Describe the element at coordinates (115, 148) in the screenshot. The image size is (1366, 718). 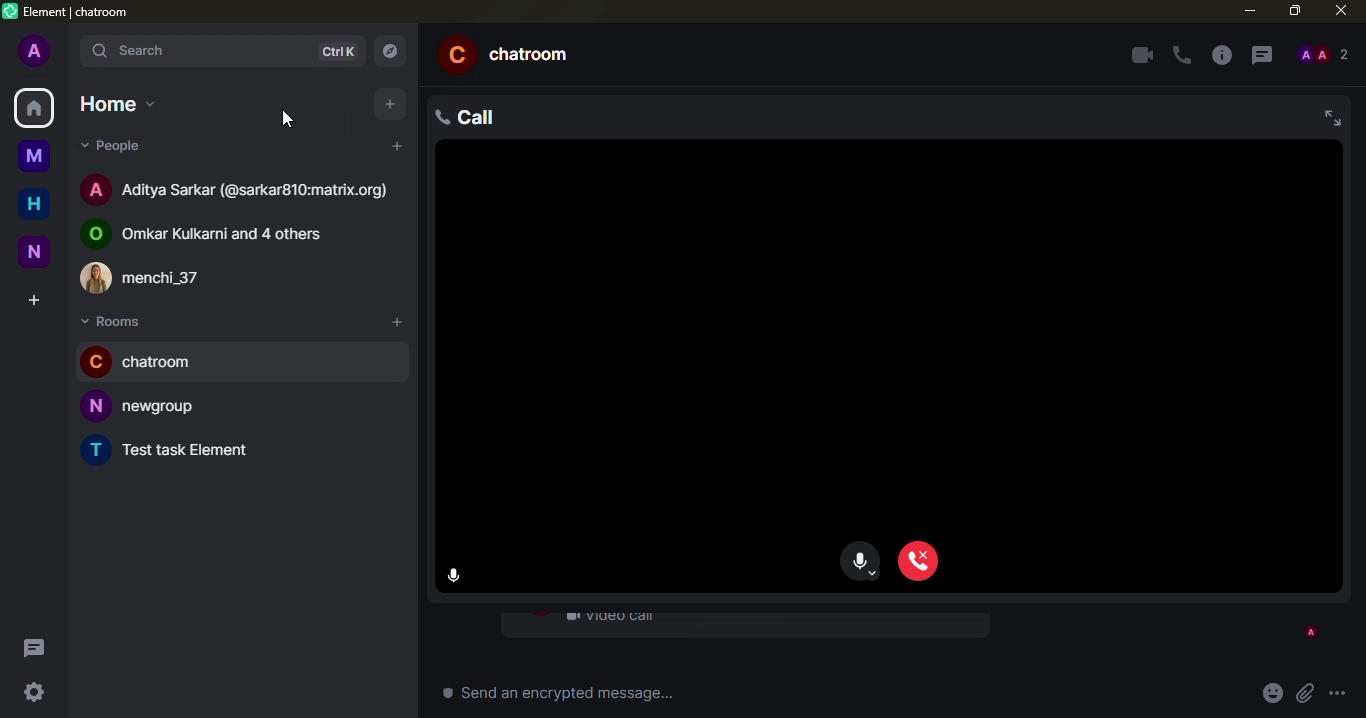
I see `people` at that location.